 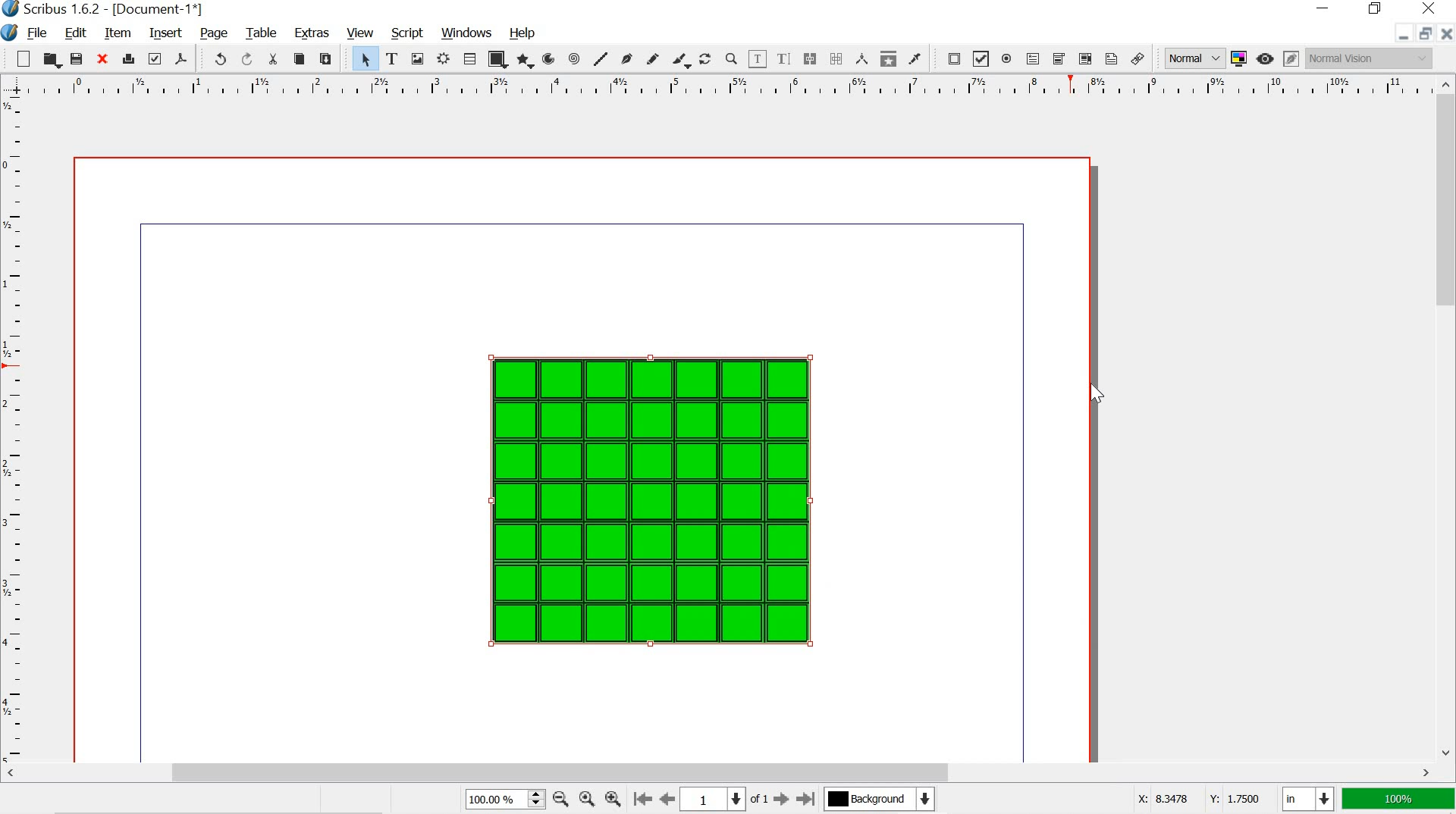 I want to click on new, so click(x=22, y=58).